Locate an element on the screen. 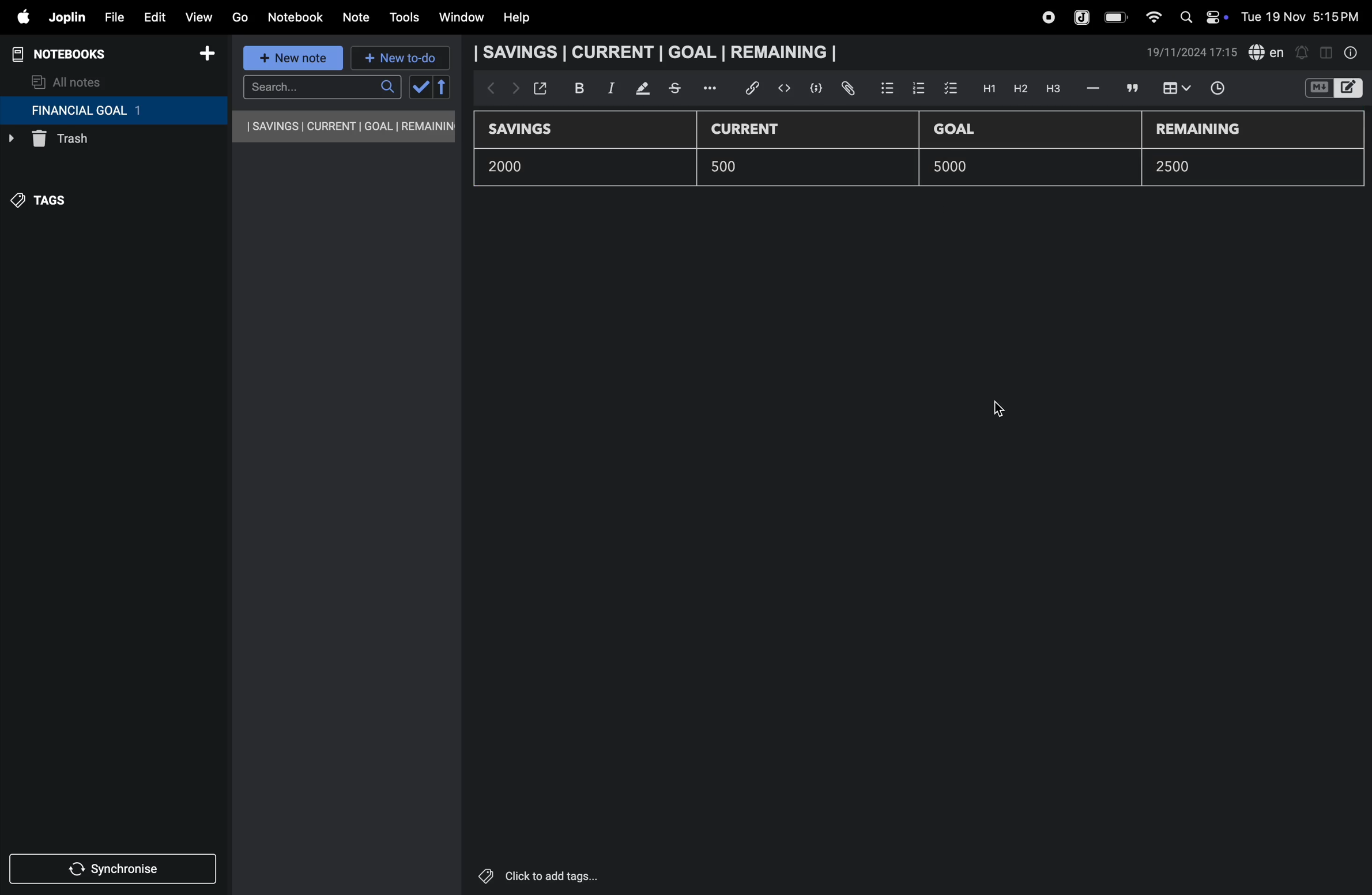  new to-do is located at coordinates (401, 59).